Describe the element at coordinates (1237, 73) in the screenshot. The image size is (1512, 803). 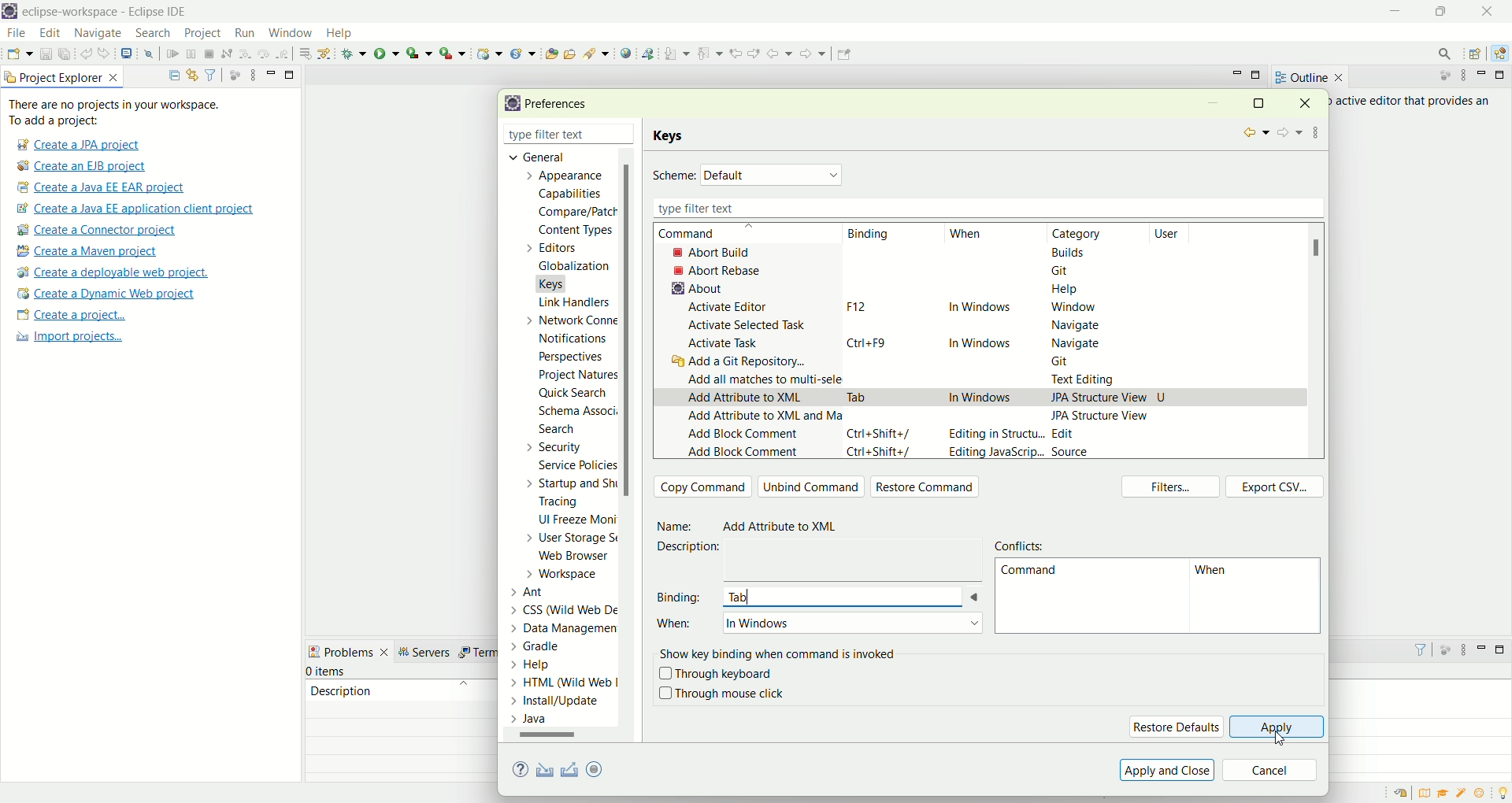
I see `minimize` at that location.